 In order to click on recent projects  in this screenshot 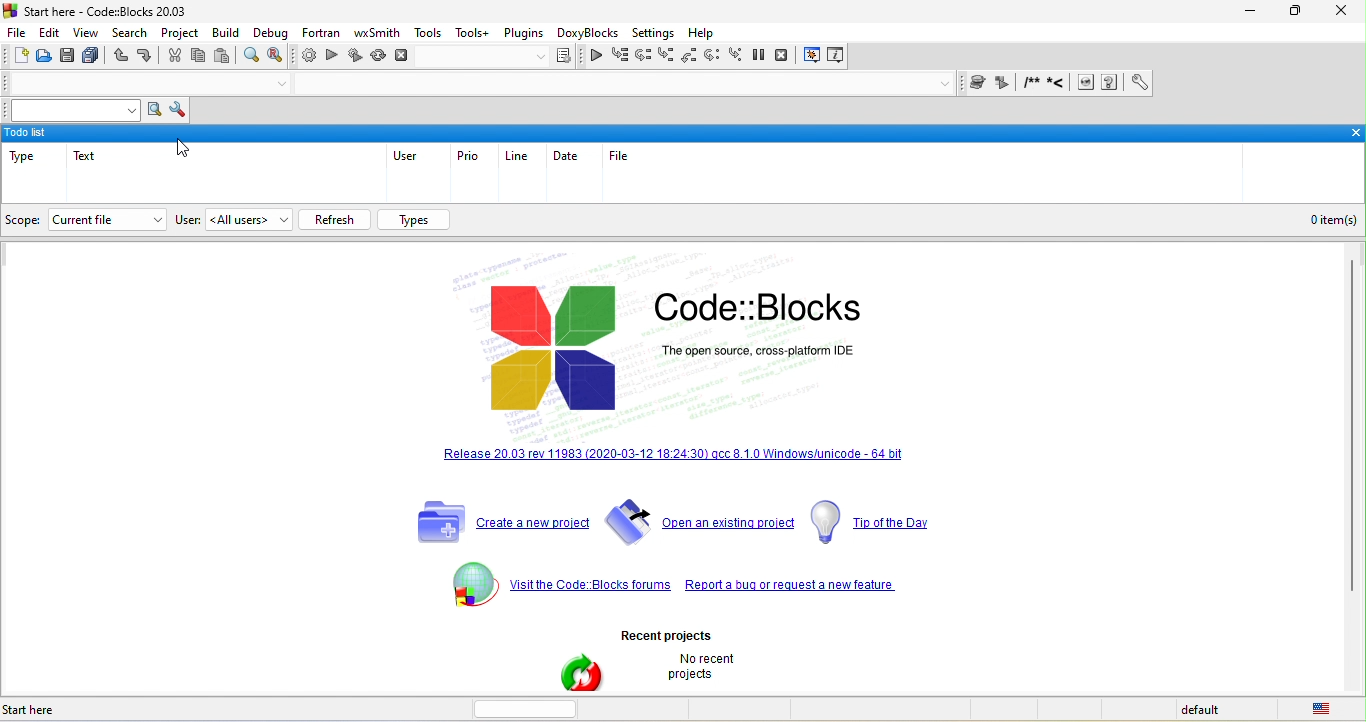, I will do `click(704, 629)`.